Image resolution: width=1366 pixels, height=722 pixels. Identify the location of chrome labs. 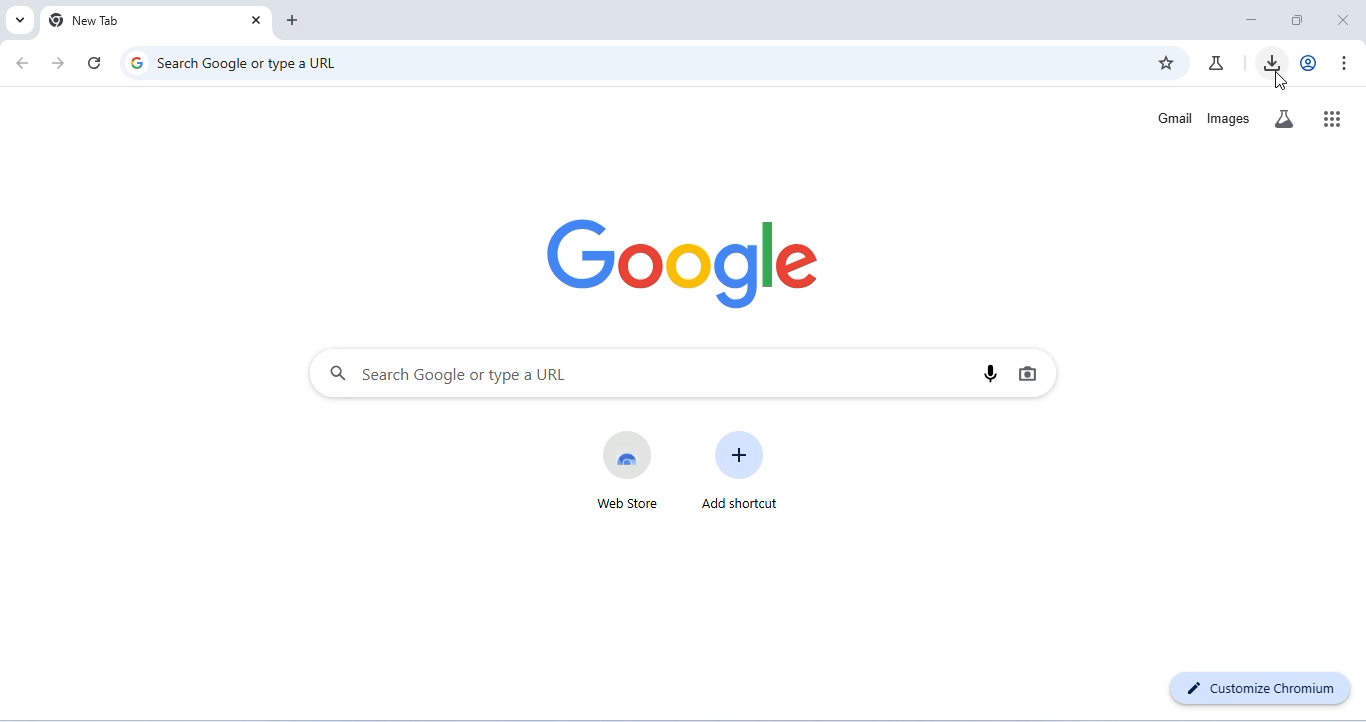
(1217, 62).